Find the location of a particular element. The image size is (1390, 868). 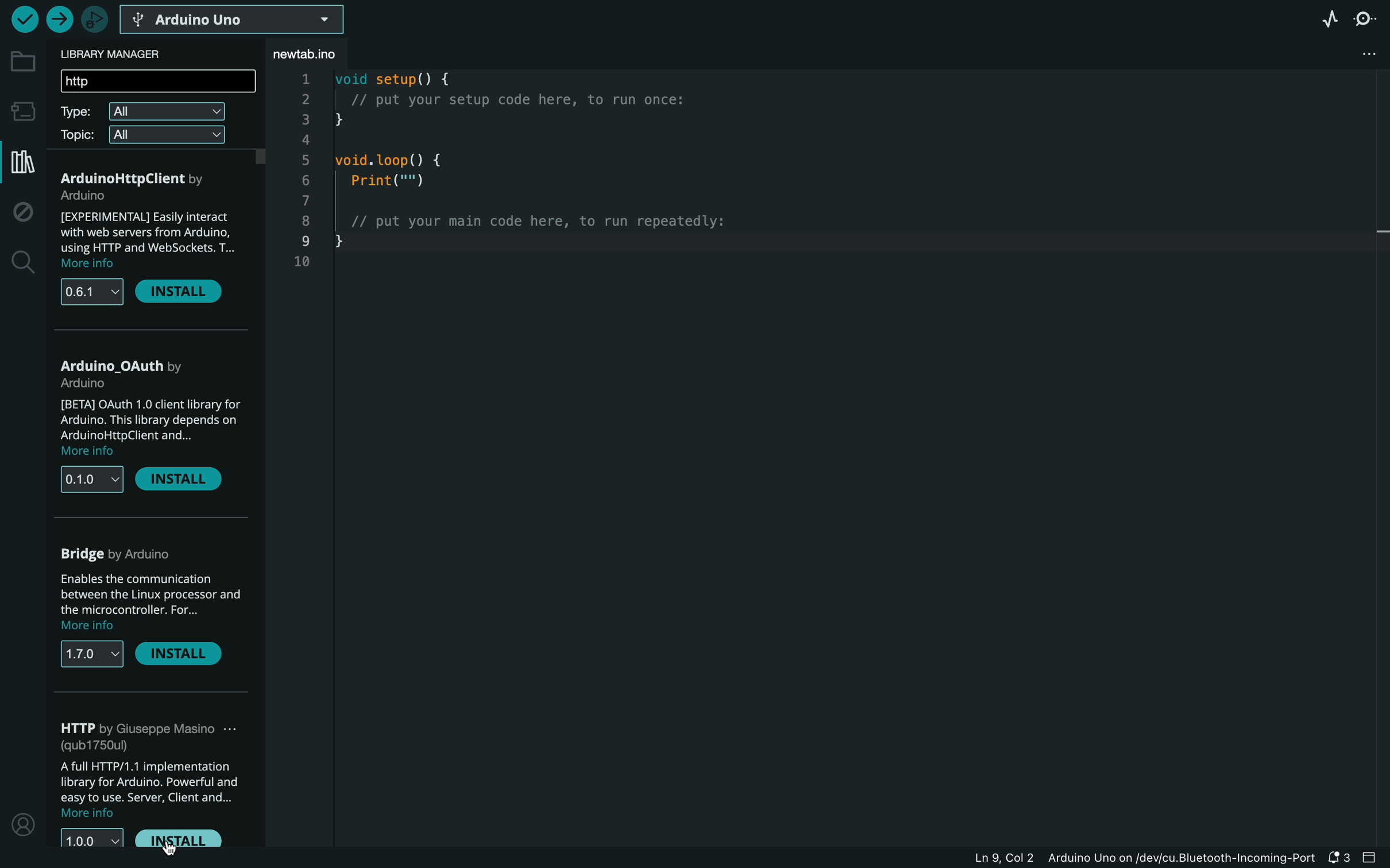

file tab is located at coordinates (327, 54).